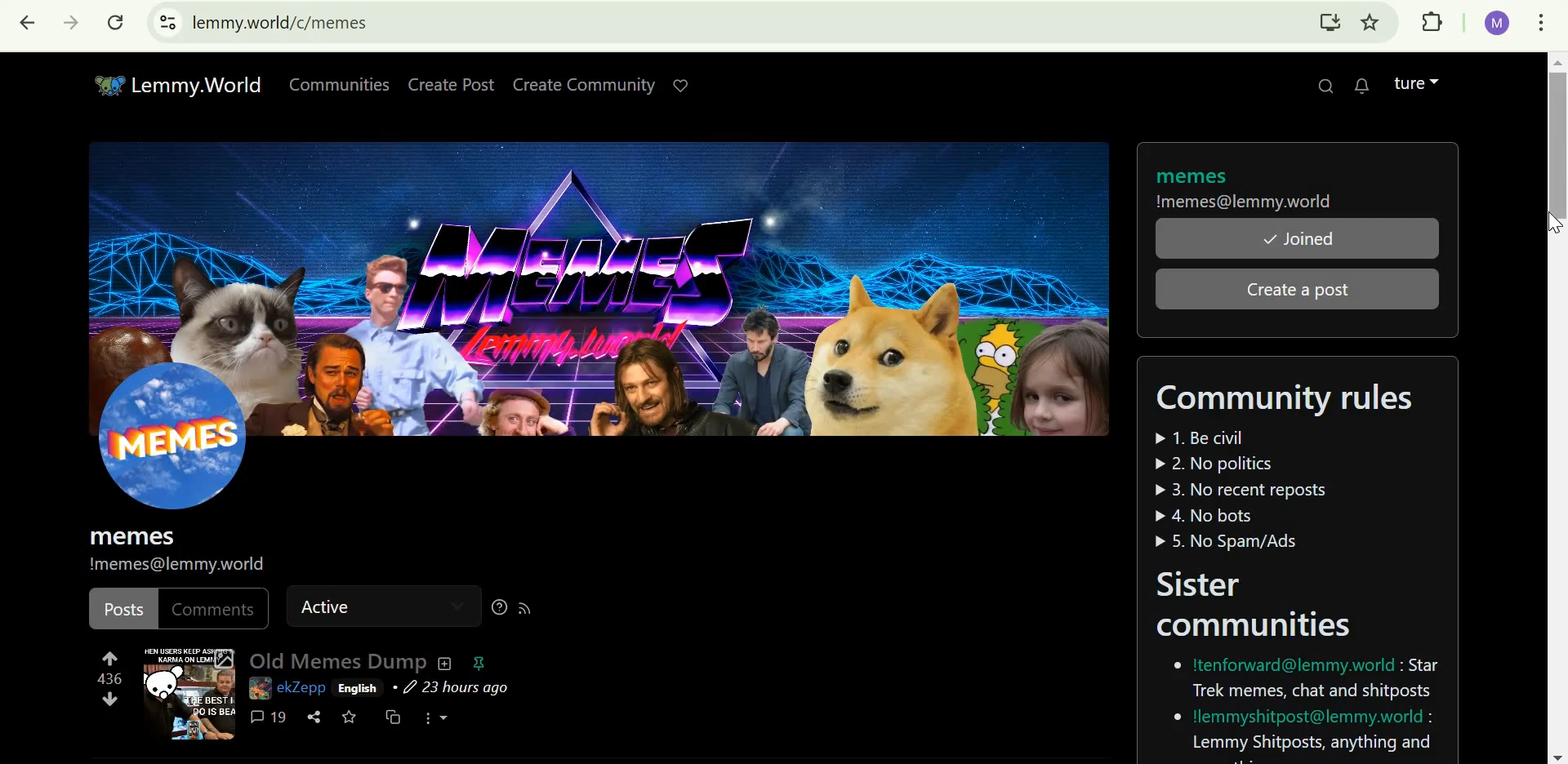 The width and height of the screenshot is (1568, 764). What do you see at coordinates (585, 84) in the screenshot?
I see `create community` at bounding box center [585, 84].